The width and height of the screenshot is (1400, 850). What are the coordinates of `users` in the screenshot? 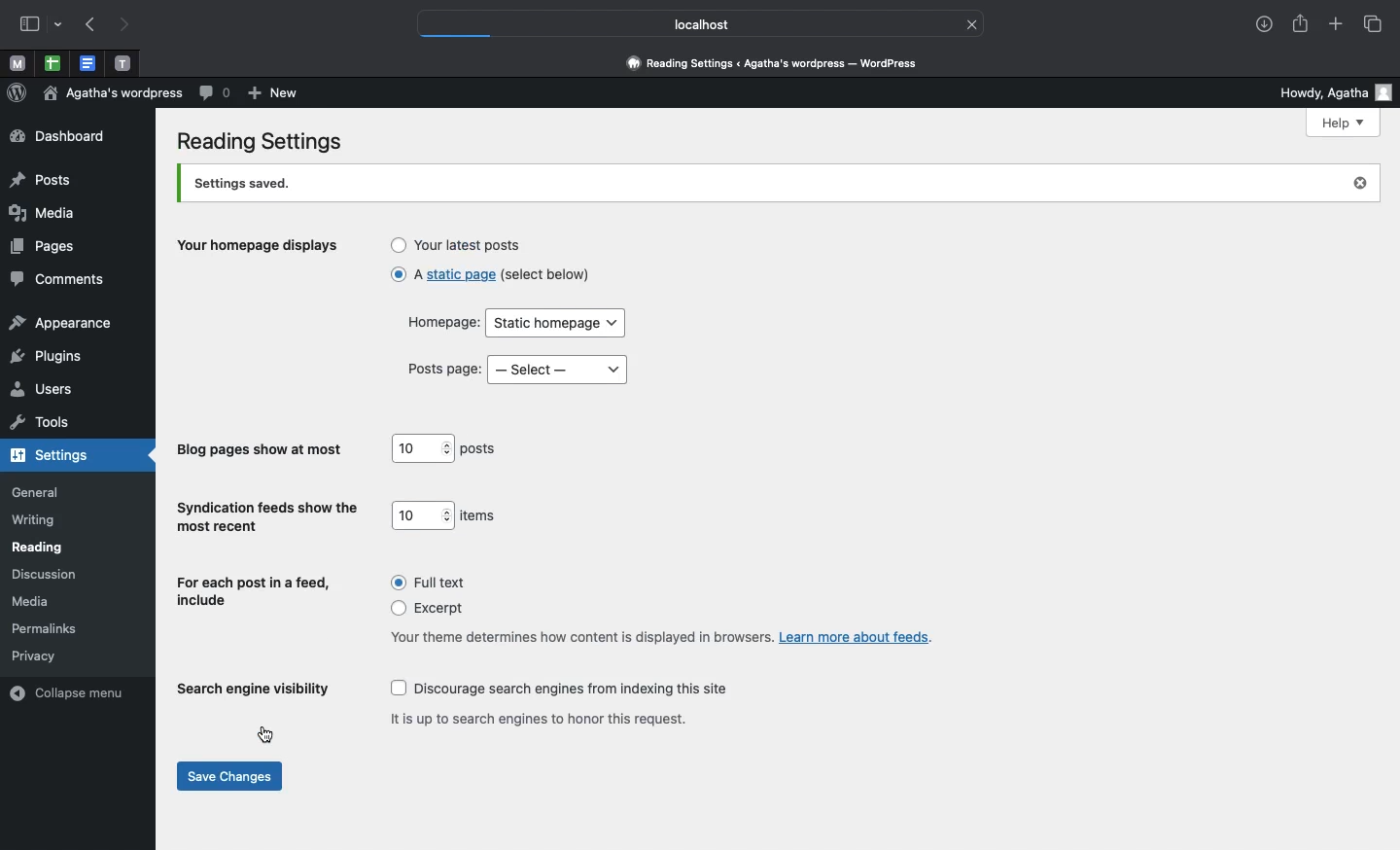 It's located at (43, 391).